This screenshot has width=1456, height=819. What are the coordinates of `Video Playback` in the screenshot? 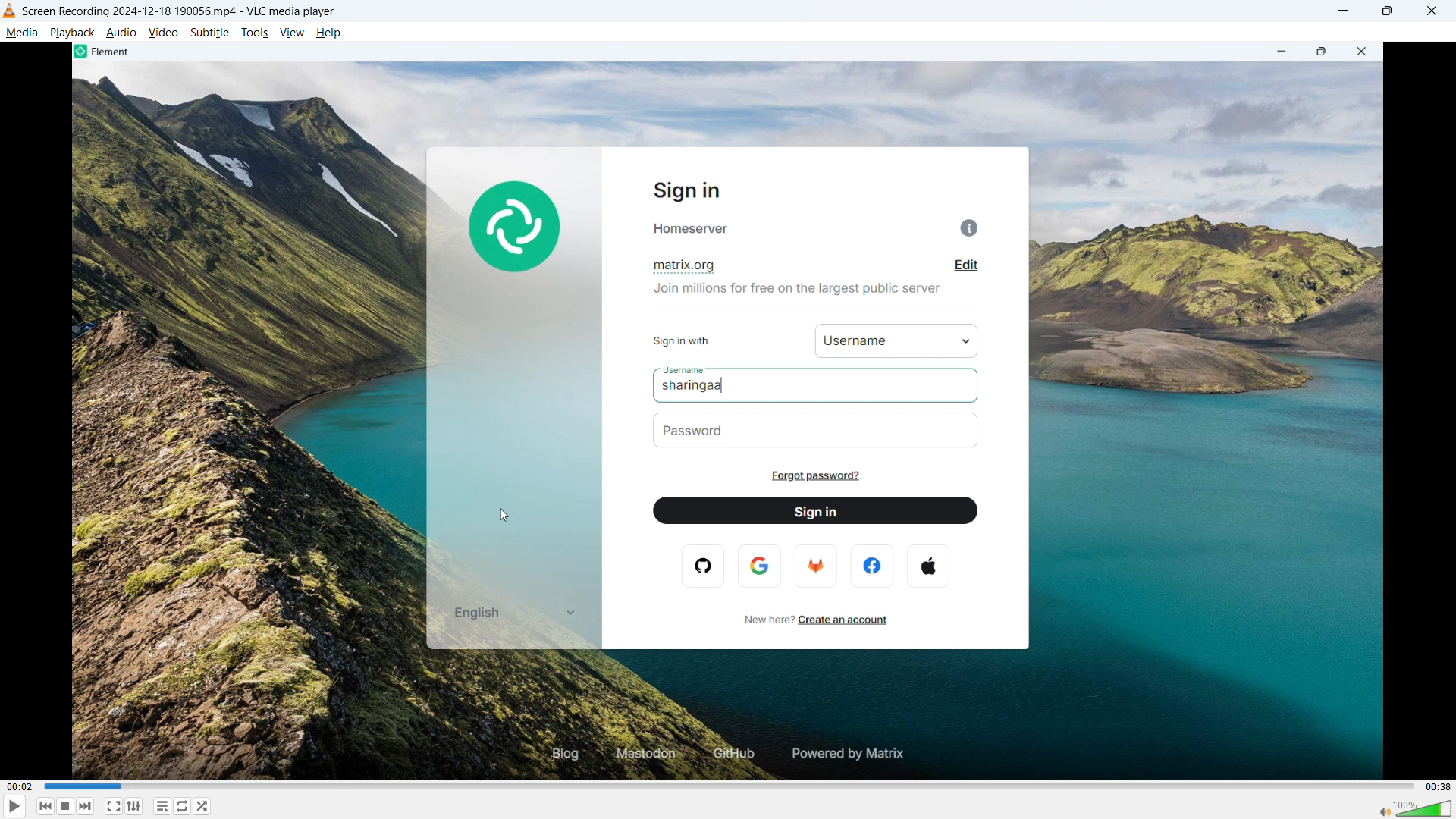 It's located at (728, 410).